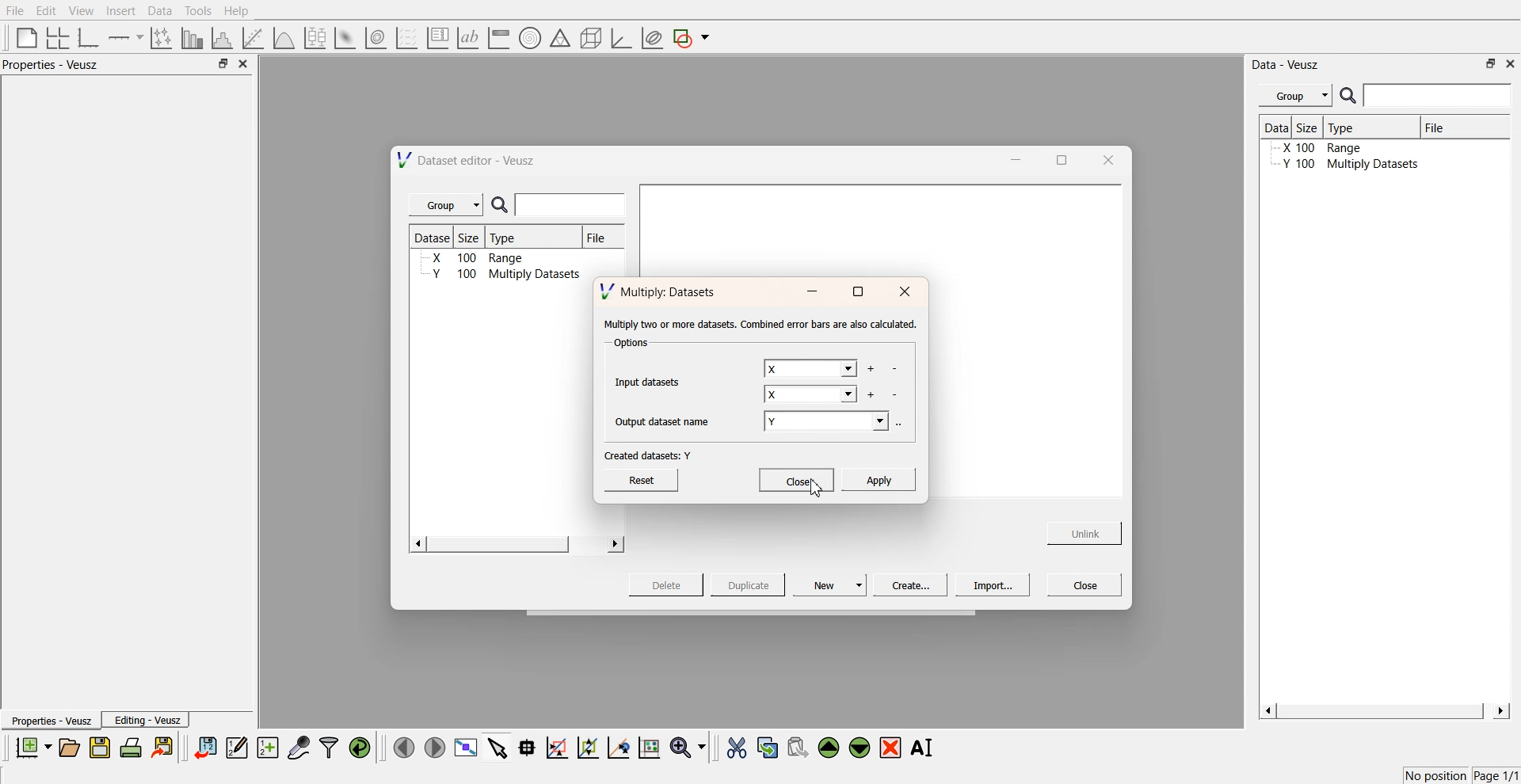  I want to click on Y 100 Multiply Datasets, so click(506, 274).